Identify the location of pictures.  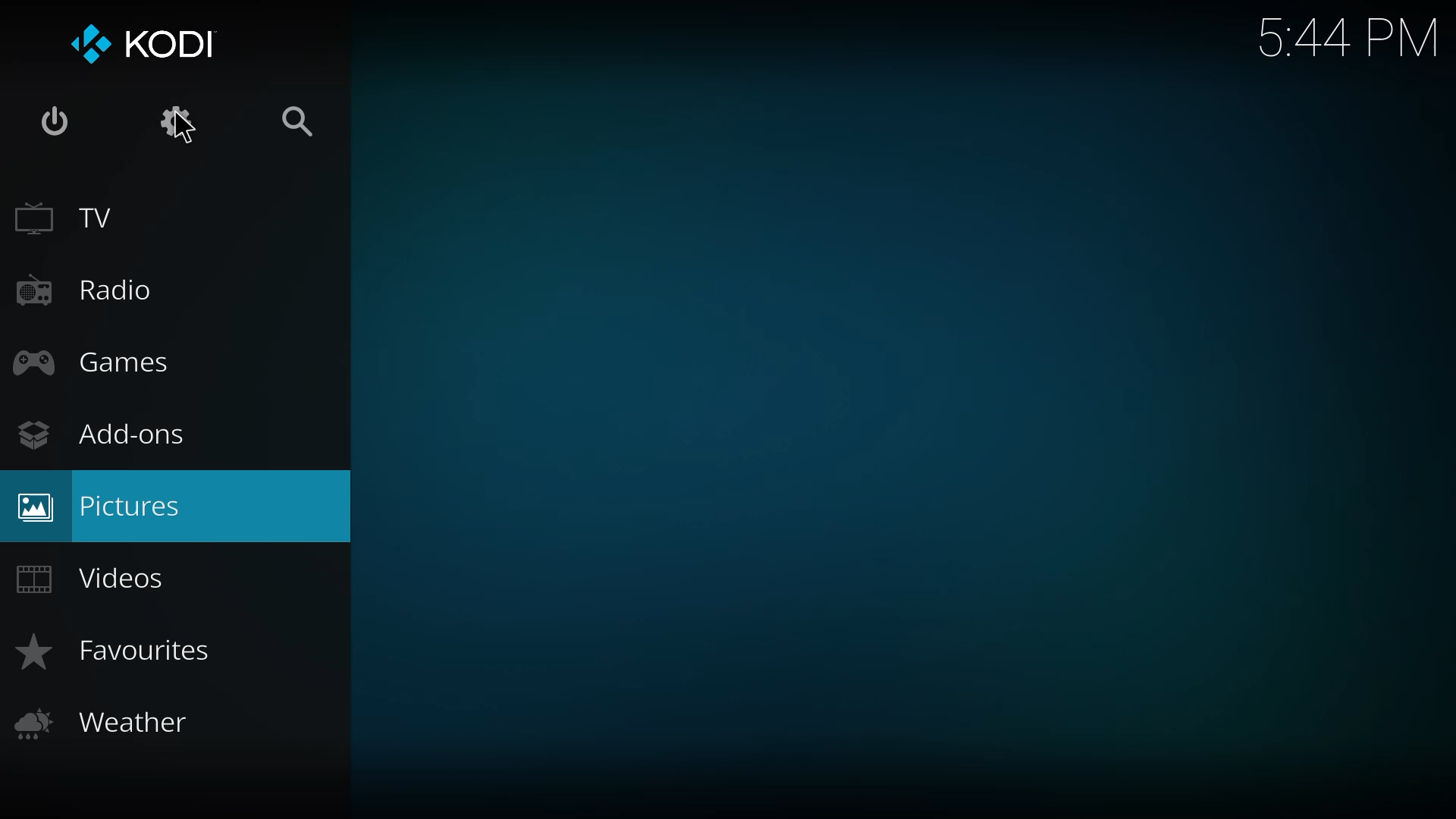
(106, 507).